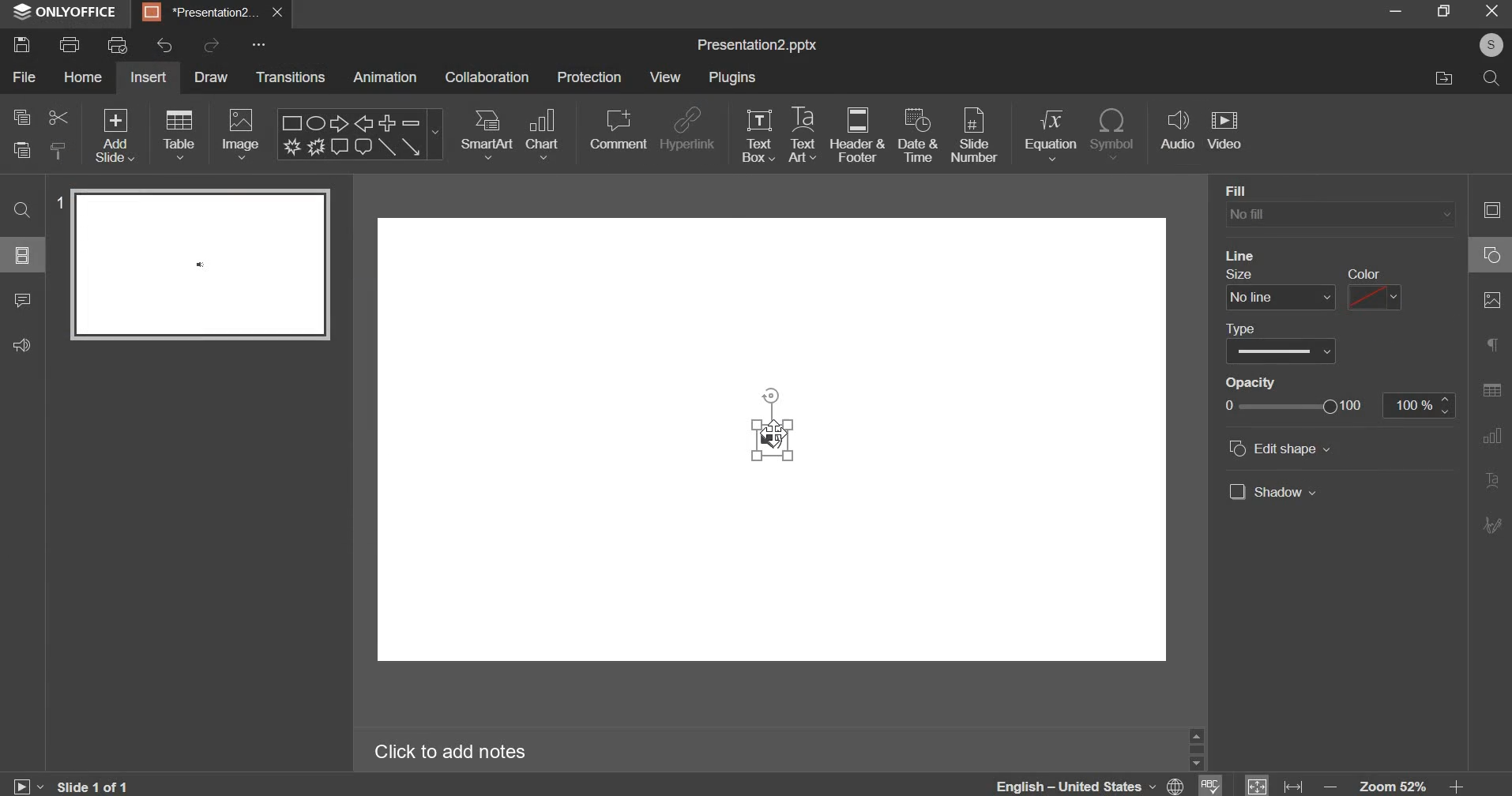 The width and height of the screenshot is (1512, 796). What do you see at coordinates (1445, 405) in the screenshot?
I see `increase/decrease opacity` at bounding box center [1445, 405].